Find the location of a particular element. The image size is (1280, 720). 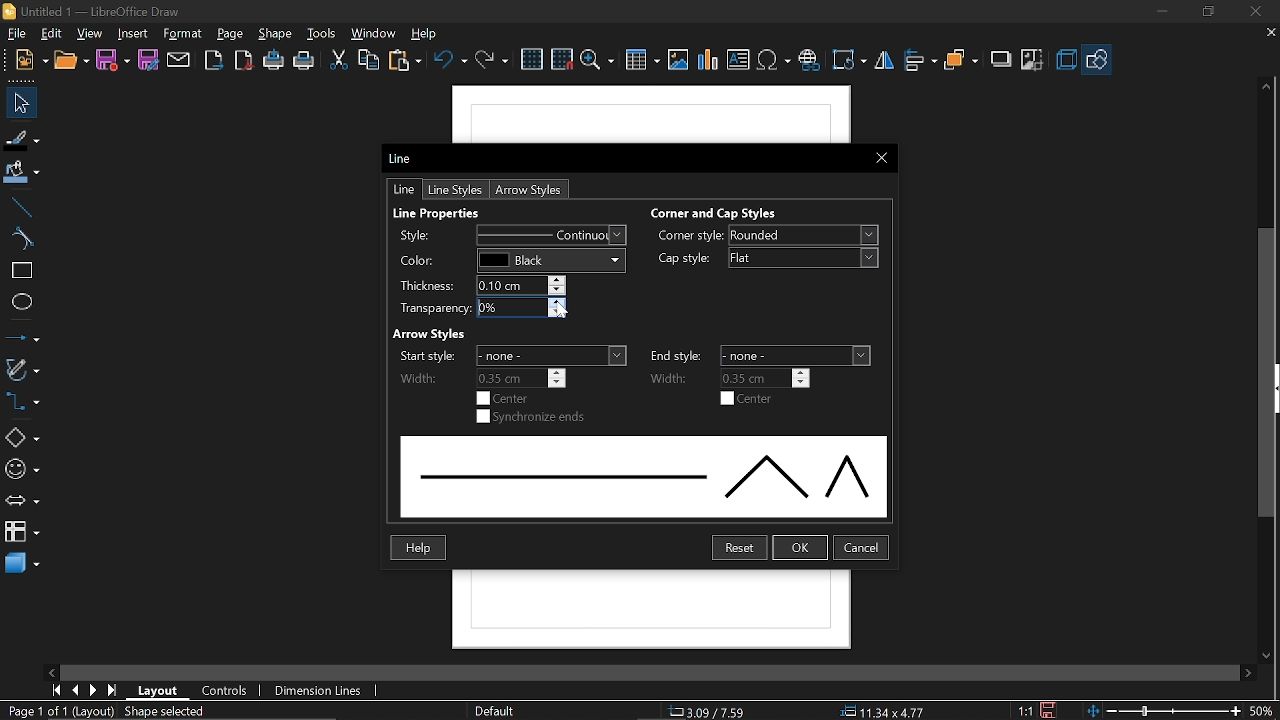

end styles is located at coordinates (757, 355).